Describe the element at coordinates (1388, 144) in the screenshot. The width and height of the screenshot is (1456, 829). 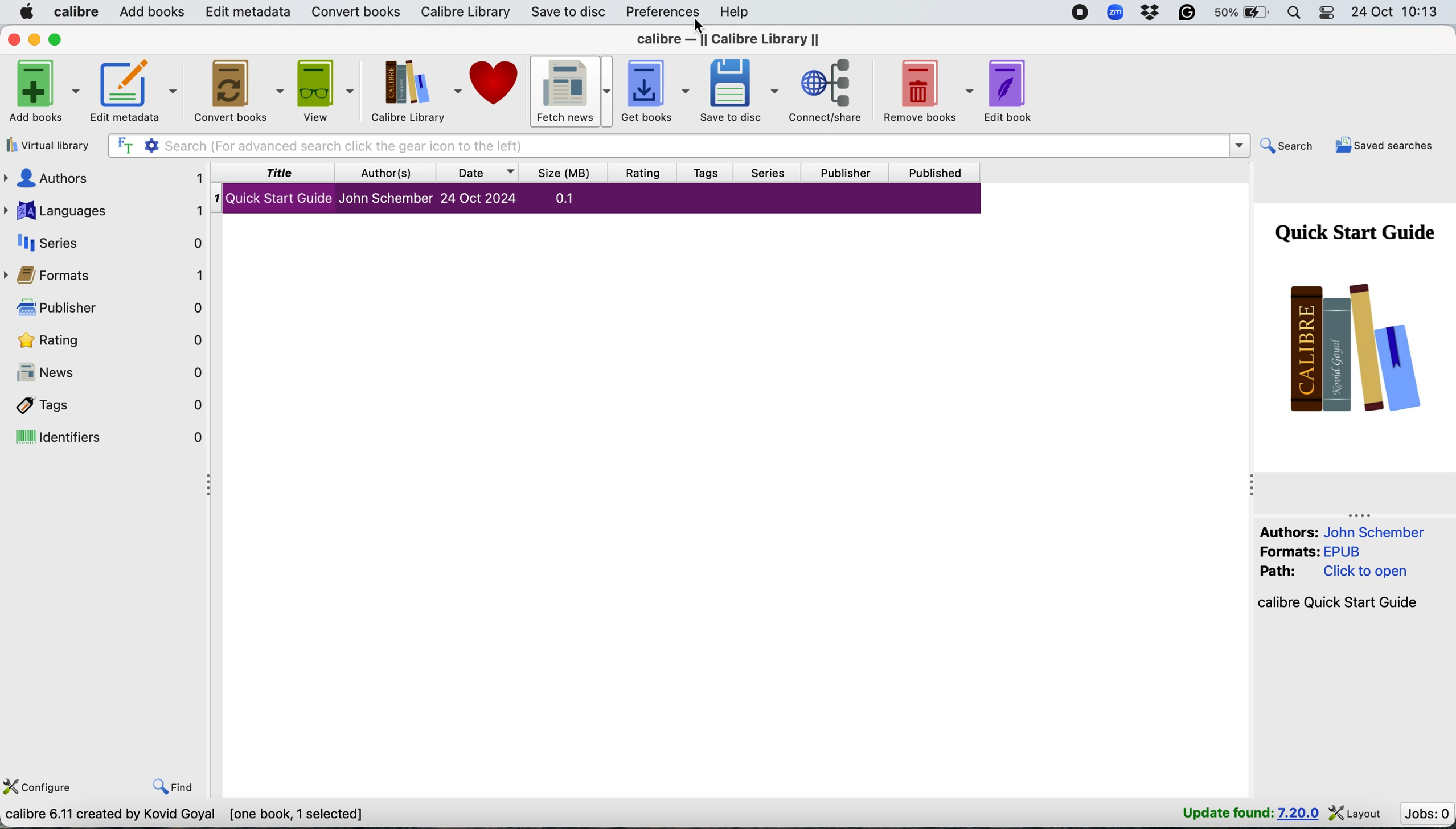
I see `saved searches` at that location.